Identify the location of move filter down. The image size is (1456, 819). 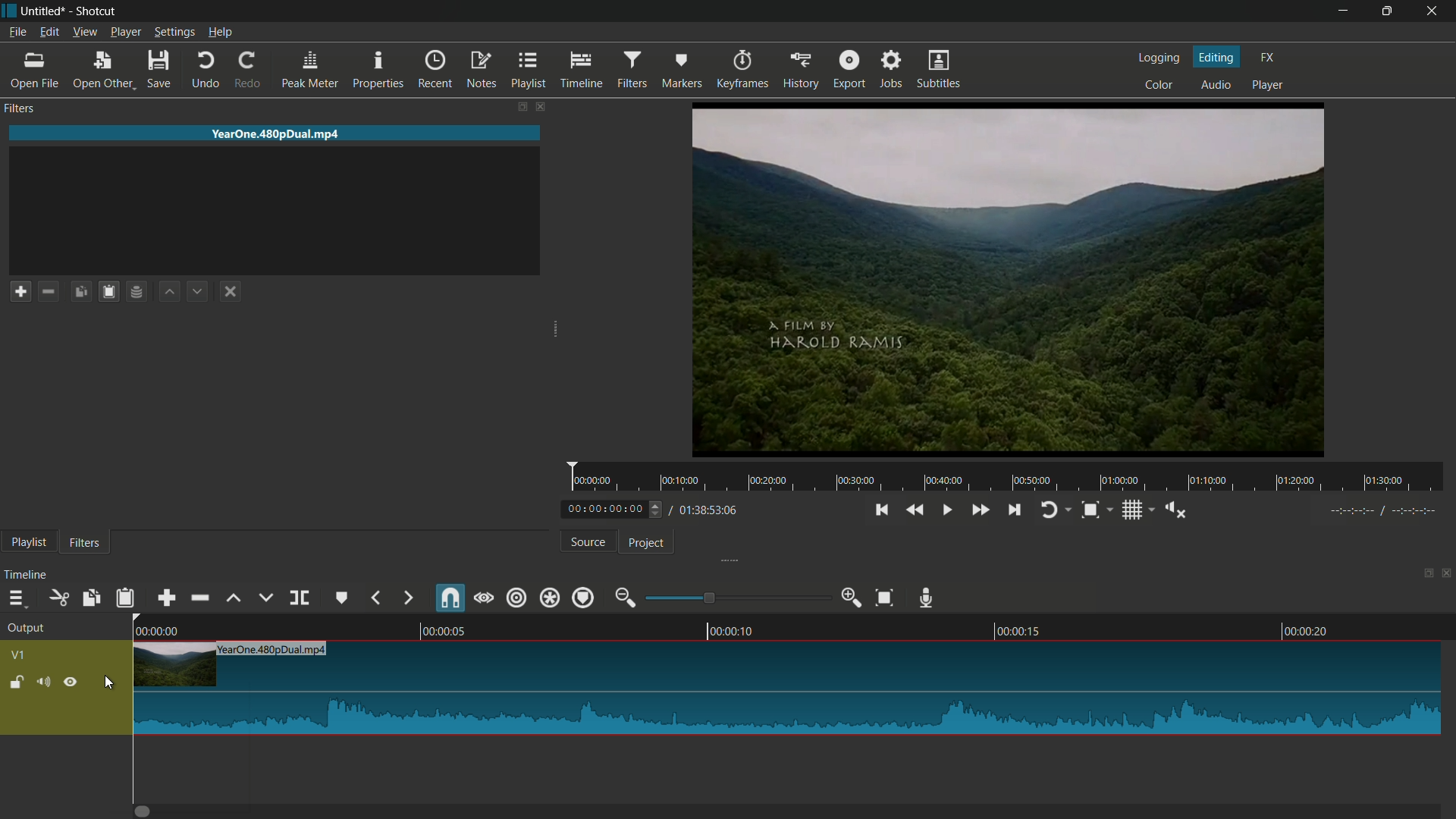
(198, 290).